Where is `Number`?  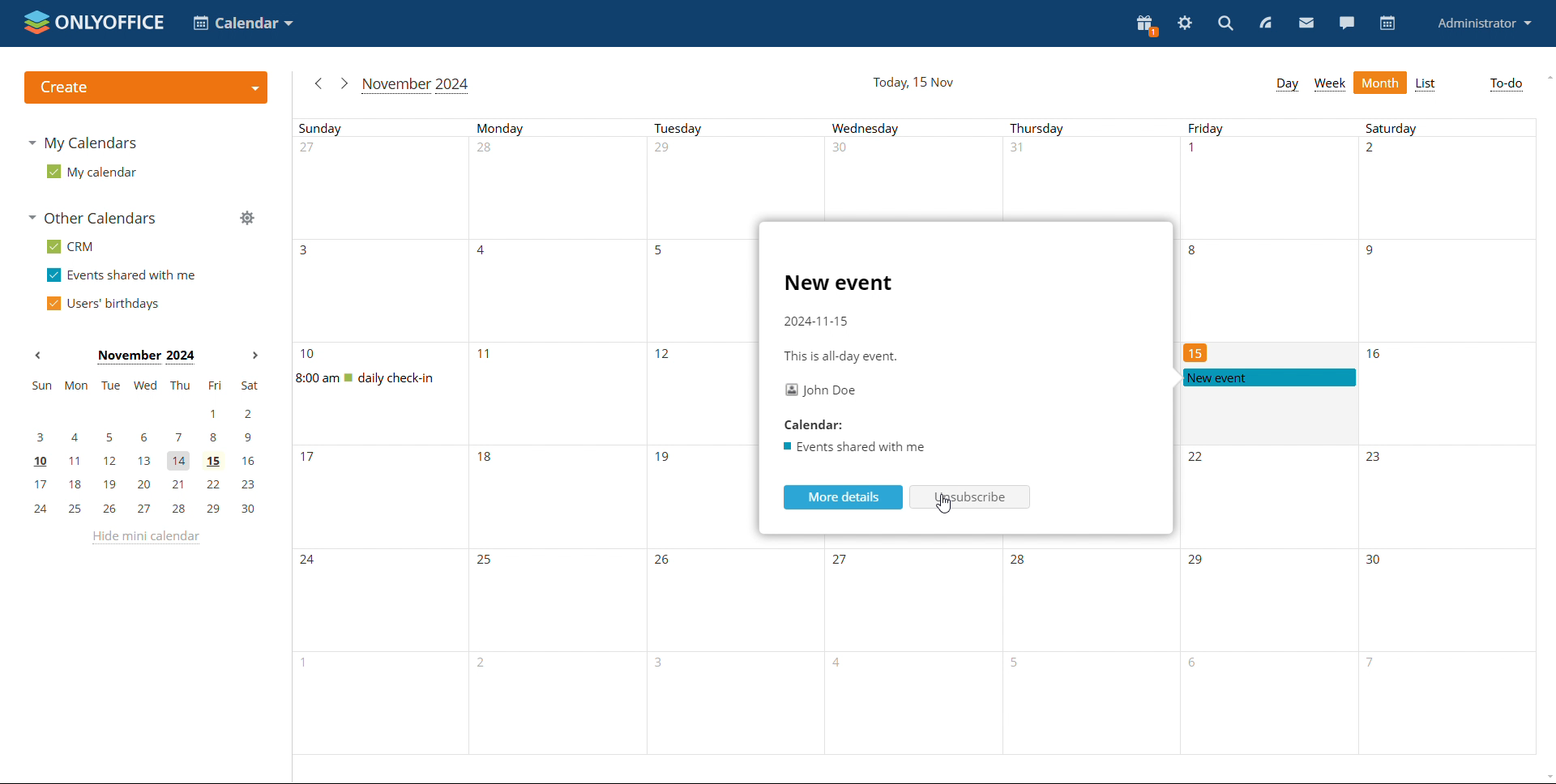
Number is located at coordinates (311, 150).